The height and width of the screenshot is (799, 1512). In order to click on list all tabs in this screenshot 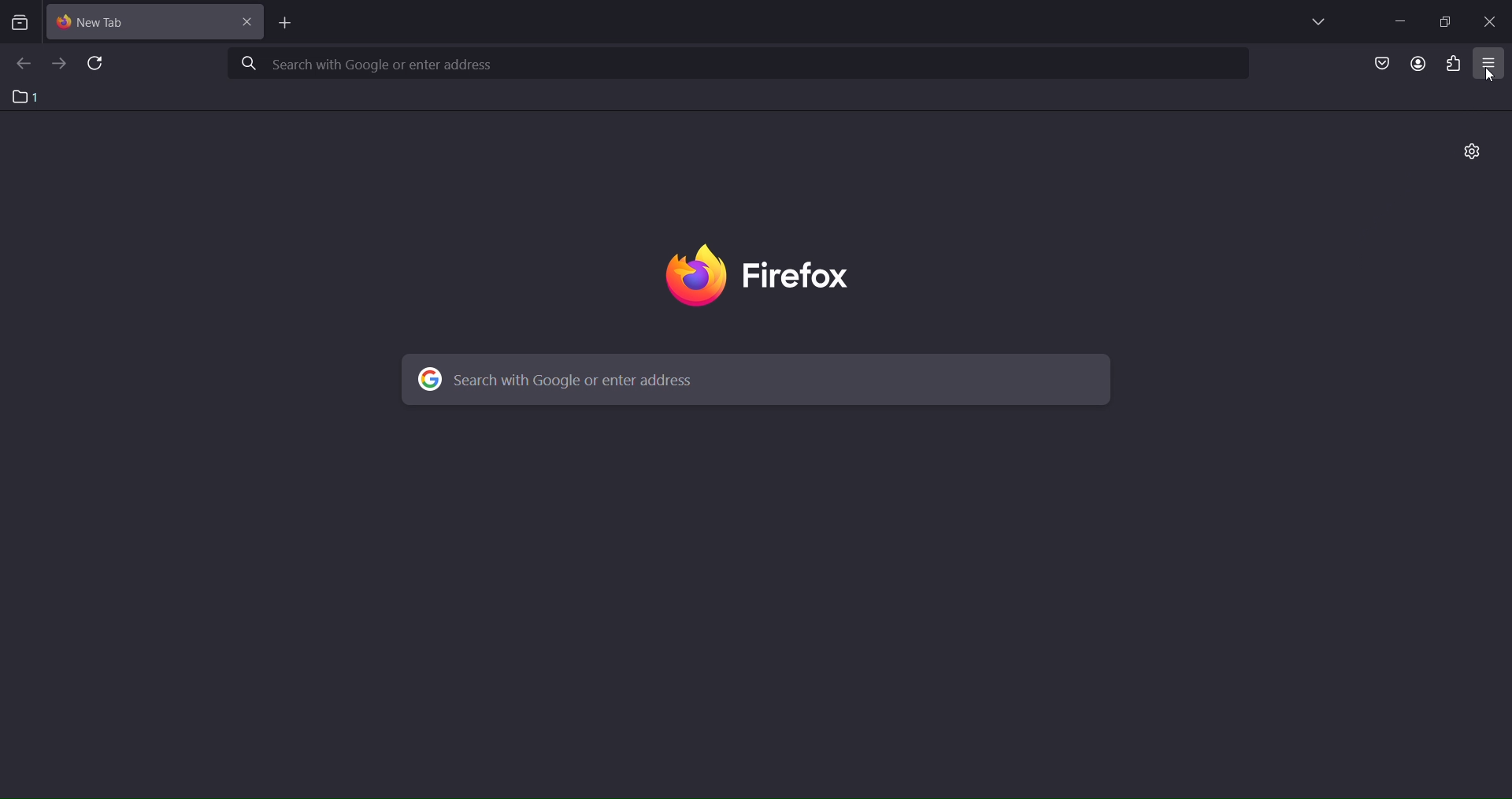, I will do `click(1325, 22)`.